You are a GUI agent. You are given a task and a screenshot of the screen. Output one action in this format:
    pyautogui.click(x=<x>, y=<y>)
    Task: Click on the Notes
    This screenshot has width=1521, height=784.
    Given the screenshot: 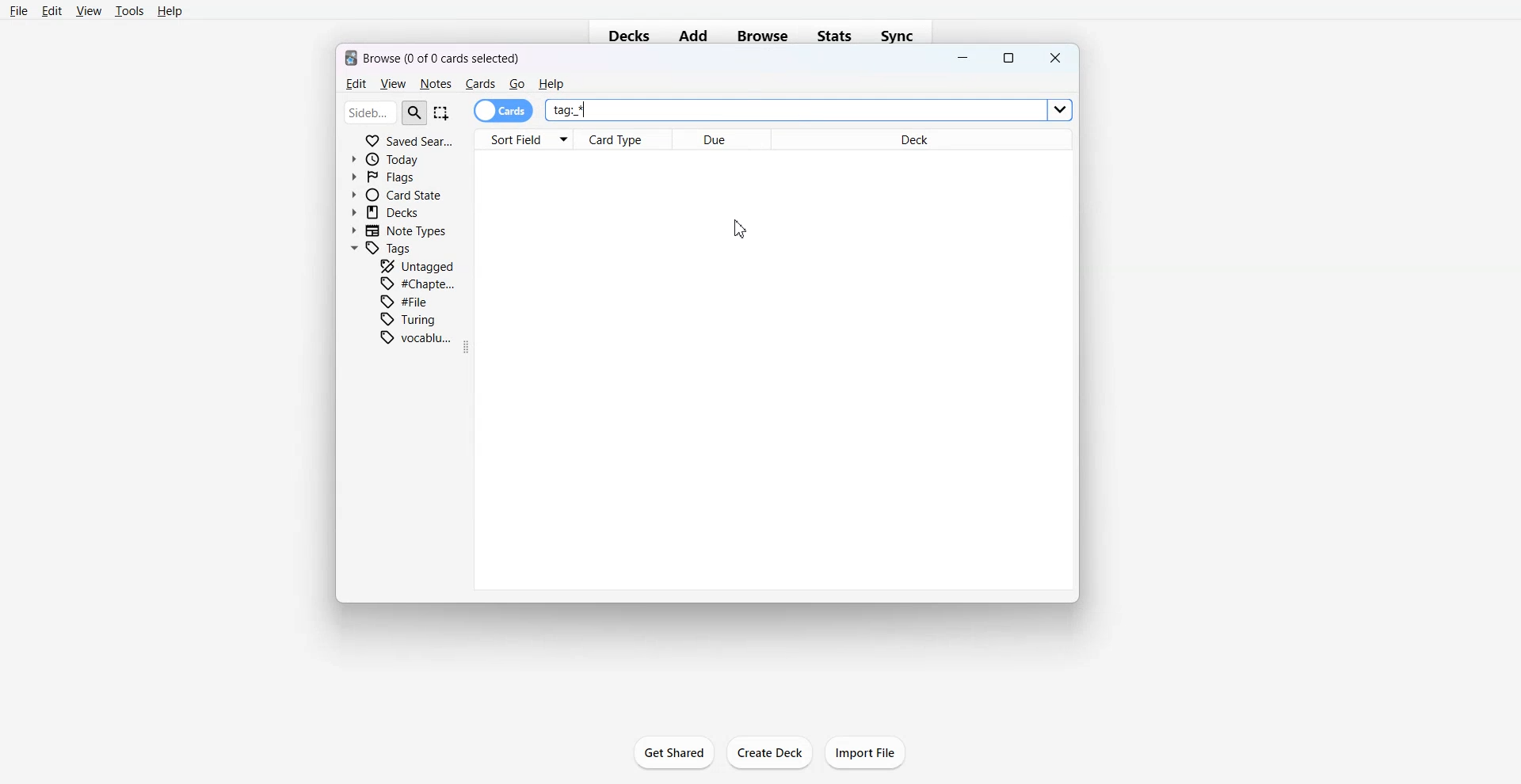 What is the action you would take?
    pyautogui.click(x=435, y=84)
    